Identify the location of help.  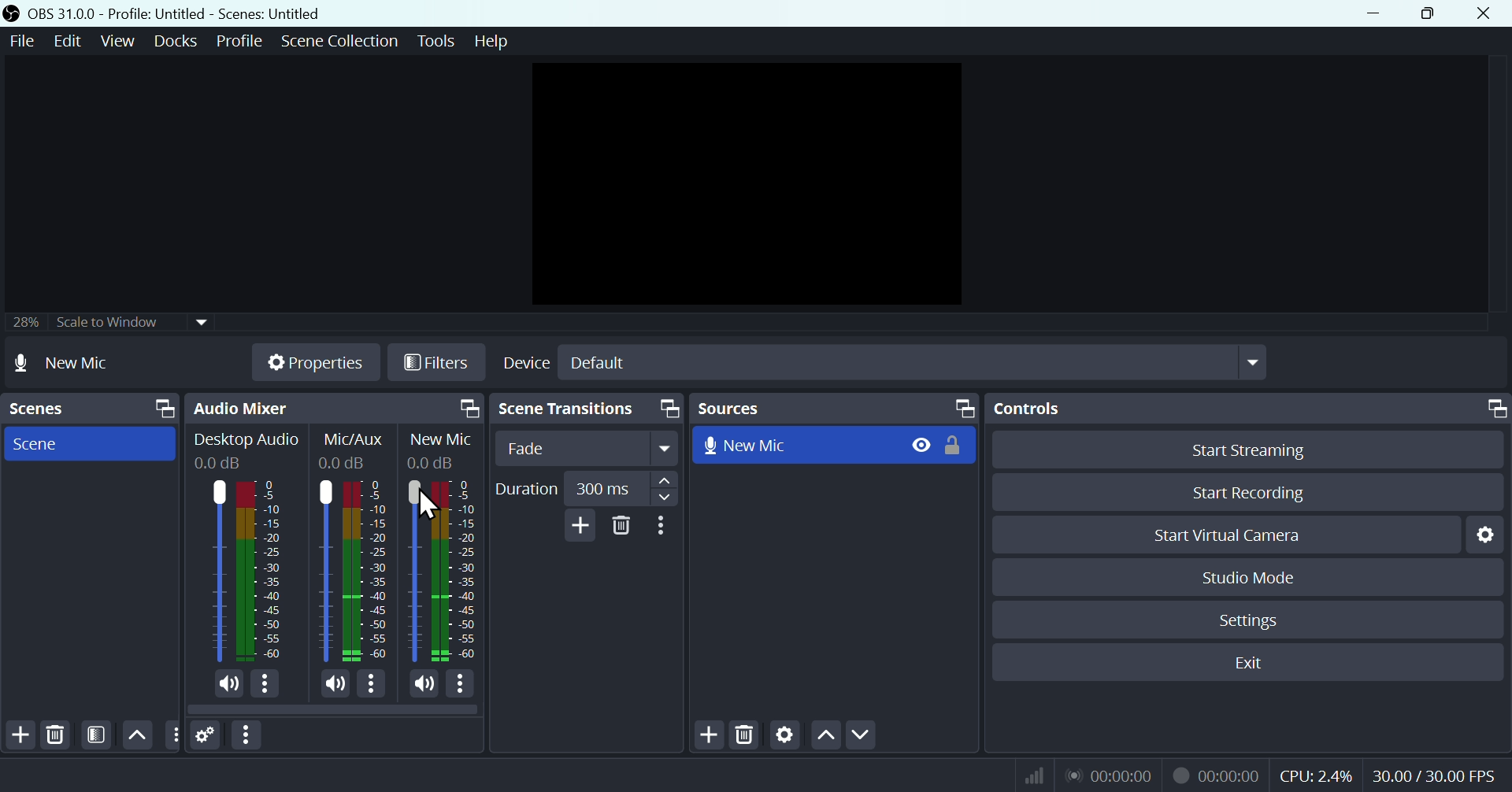
(491, 41).